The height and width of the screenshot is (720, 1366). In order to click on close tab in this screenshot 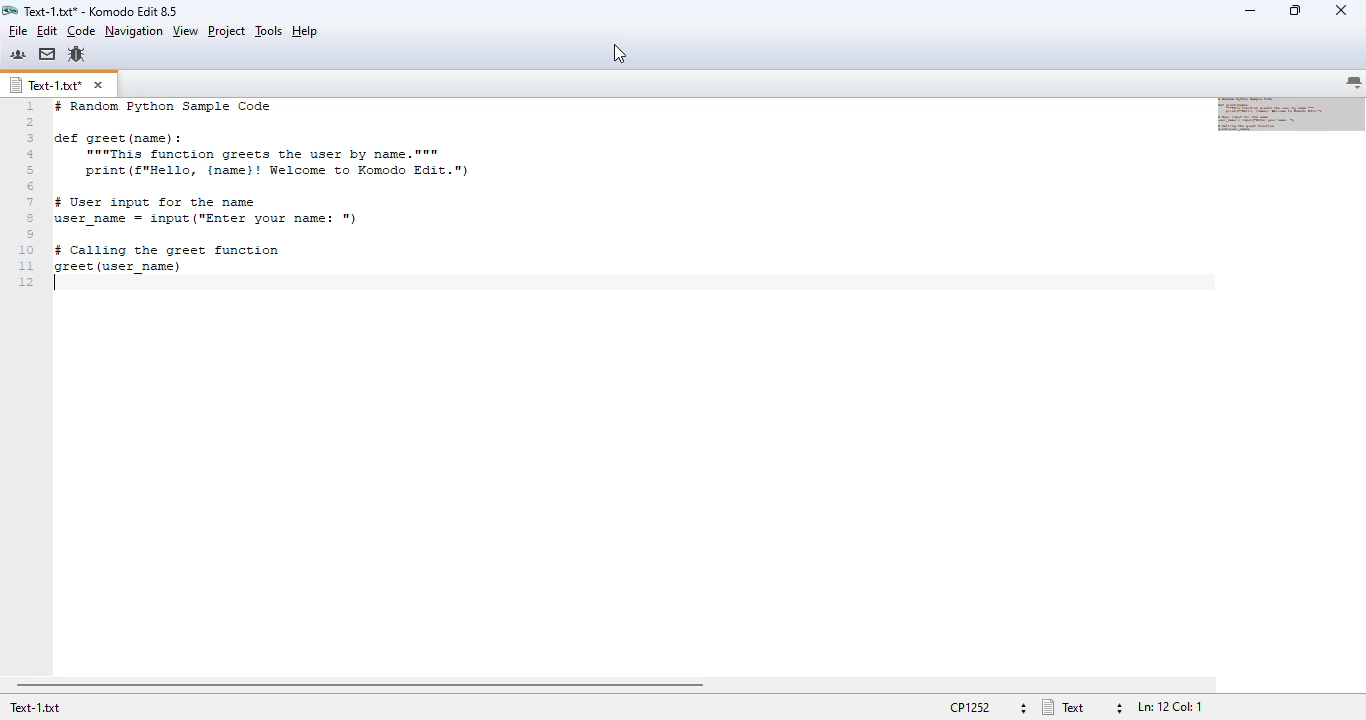, I will do `click(98, 86)`.